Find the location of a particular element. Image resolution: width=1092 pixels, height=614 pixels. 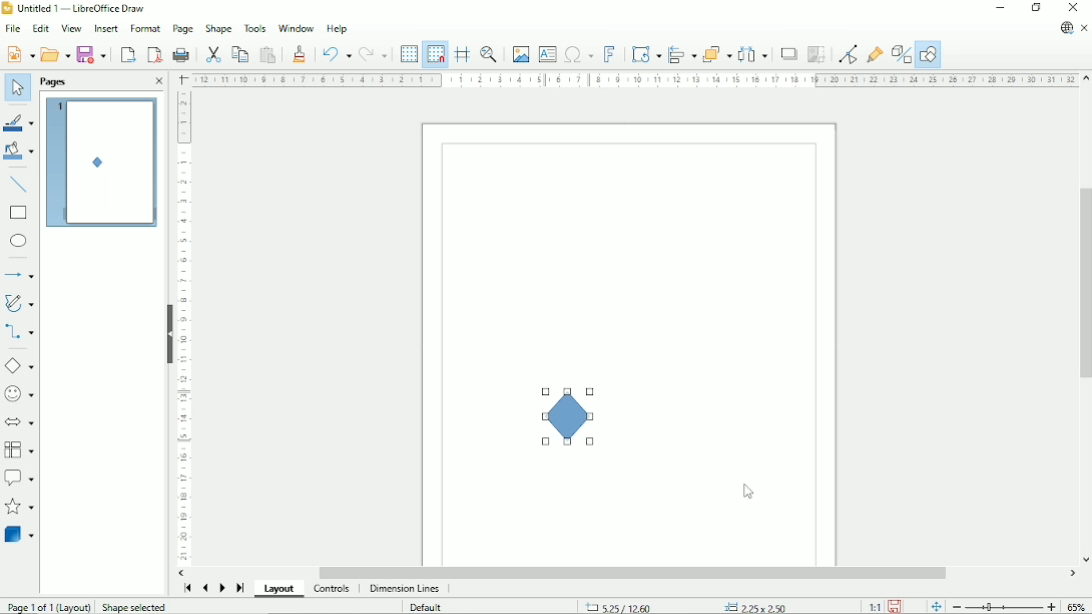

Horizontal scrollbar is located at coordinates (630, 573).